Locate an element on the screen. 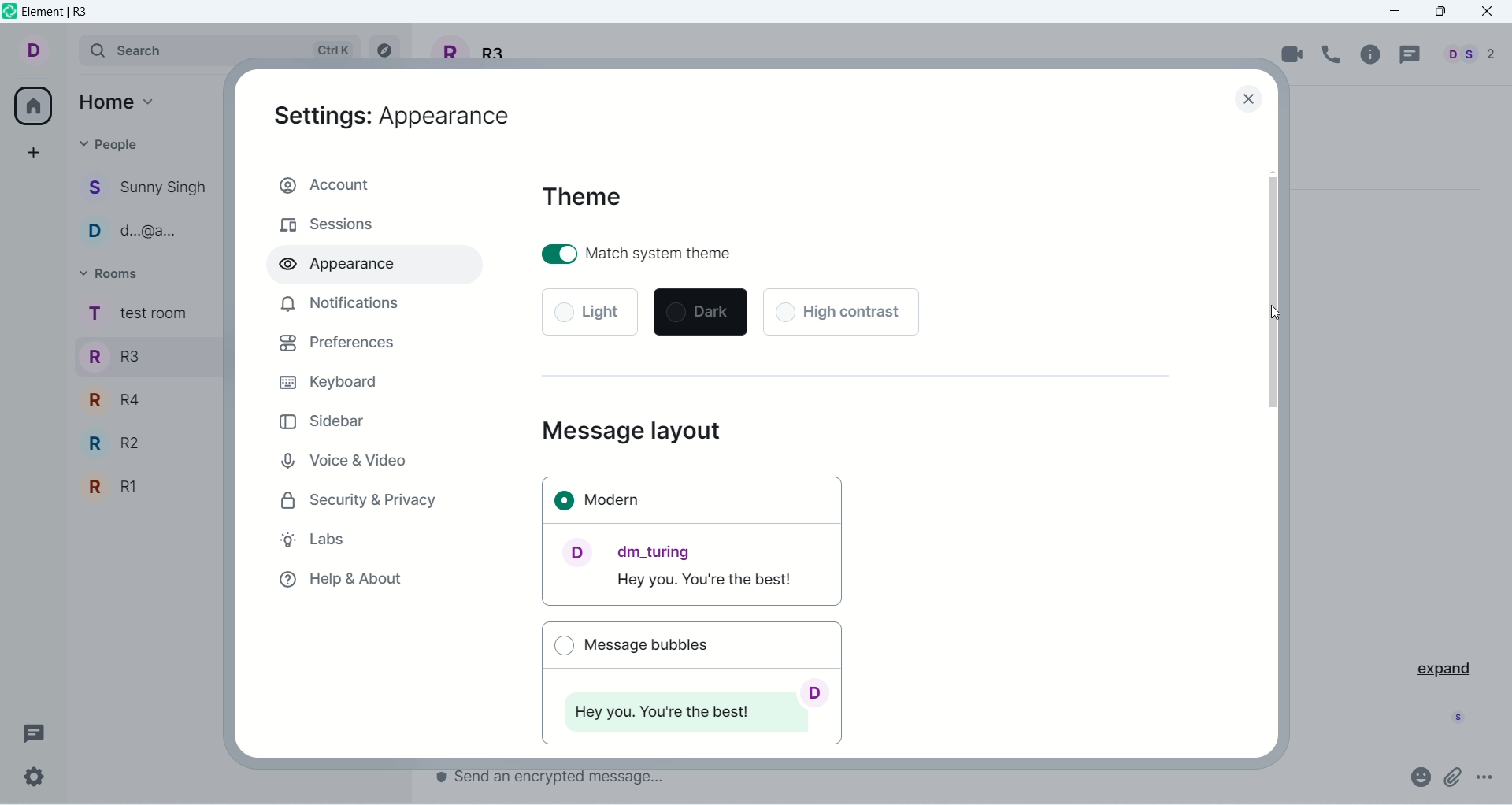 The image size is (1512, 805). R1 is located at coordinates (145, 488).